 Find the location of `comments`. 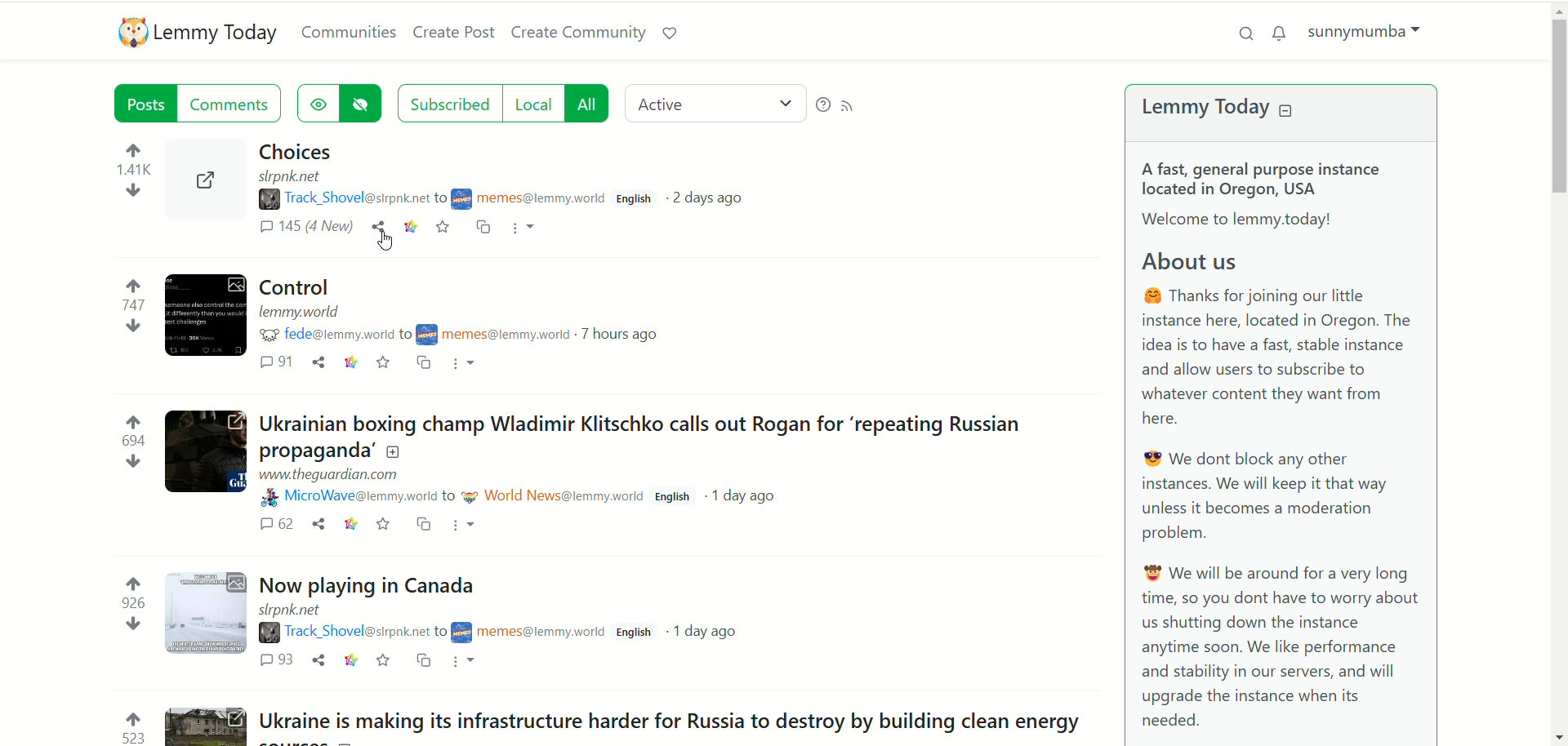

comments is located at coordinates (303, 229).